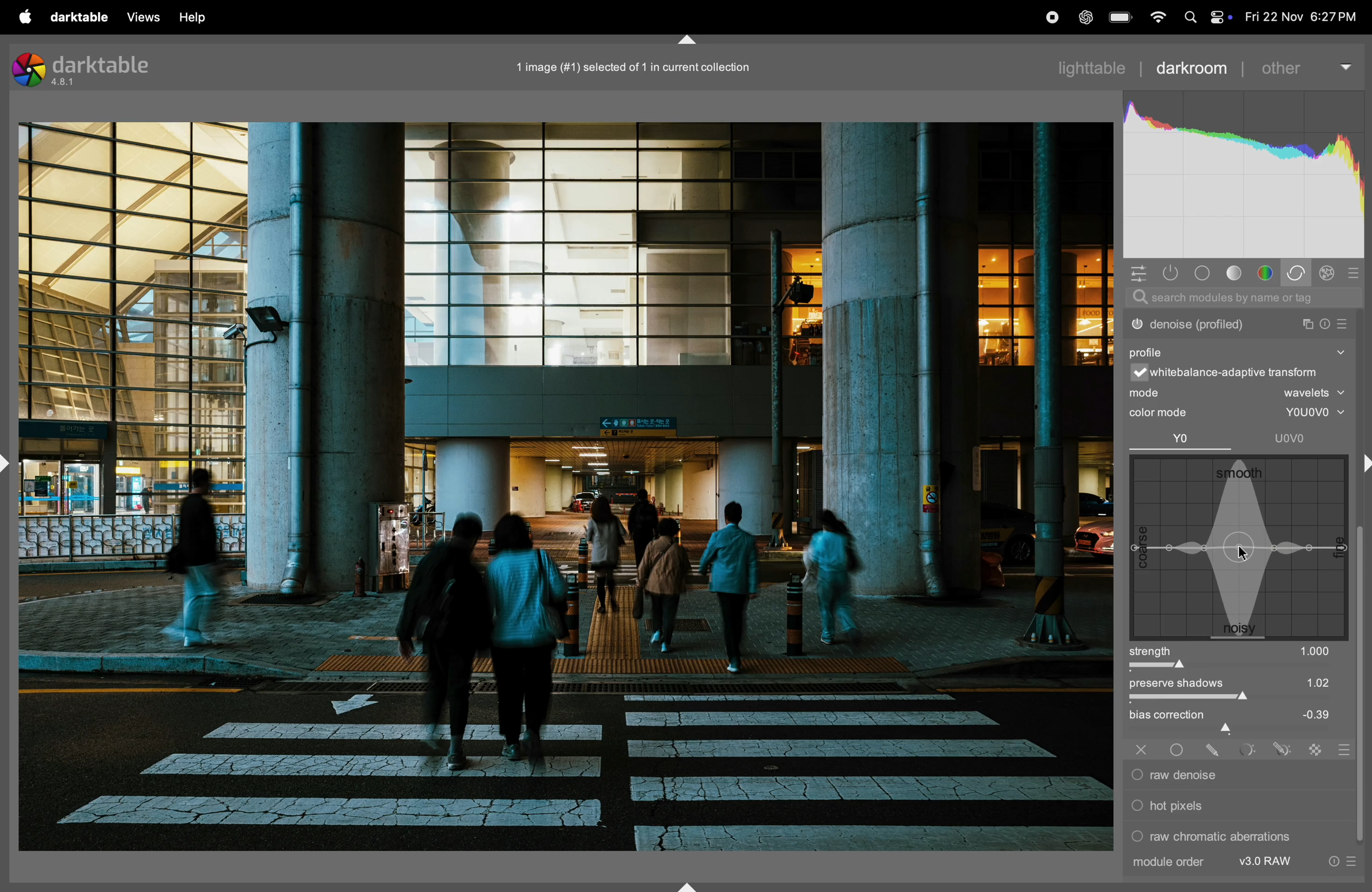  I want to click on chatgpt, so click(1087, 17).